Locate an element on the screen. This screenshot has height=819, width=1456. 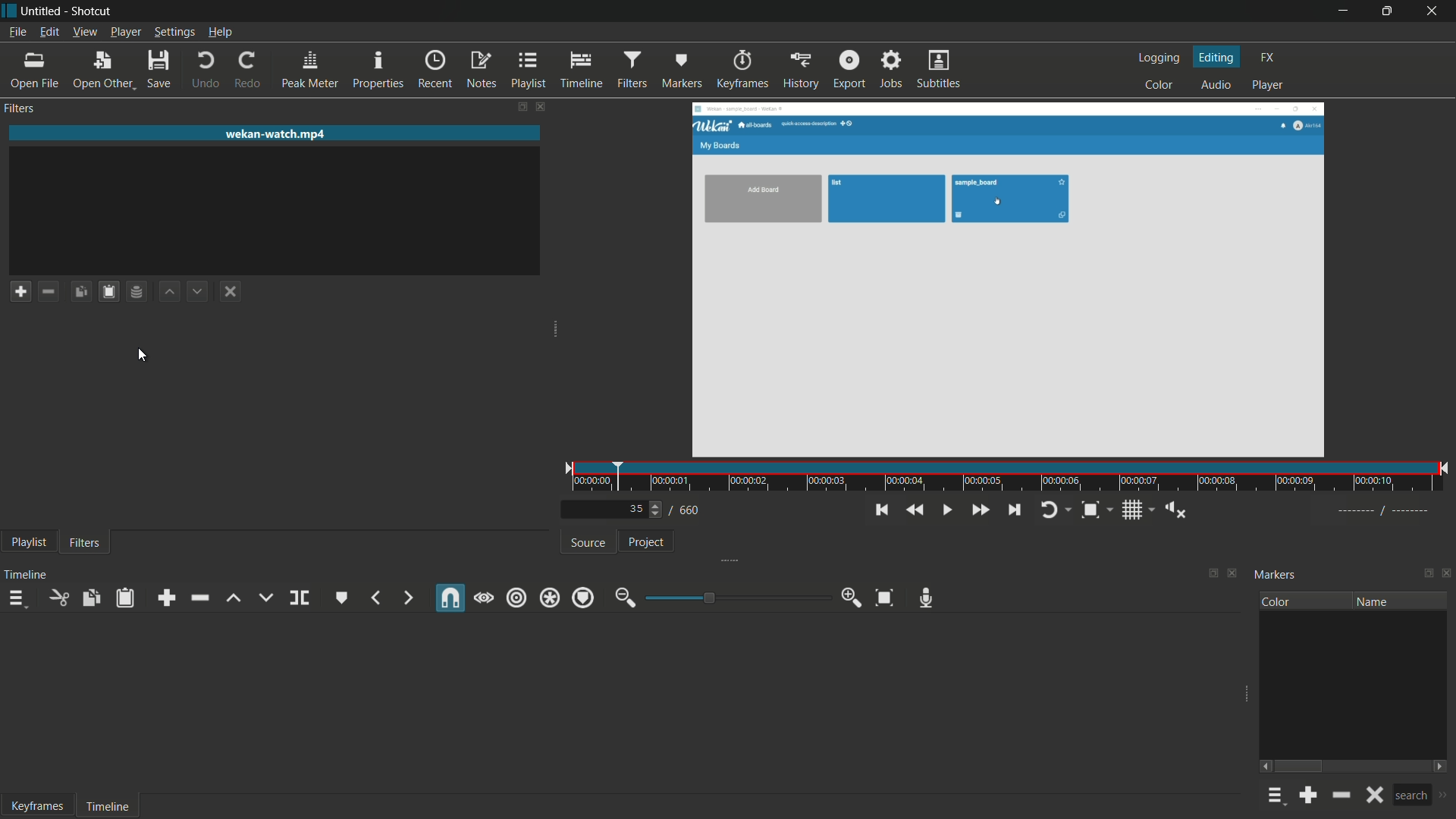
previous marker is located at coordinates (379, 598).